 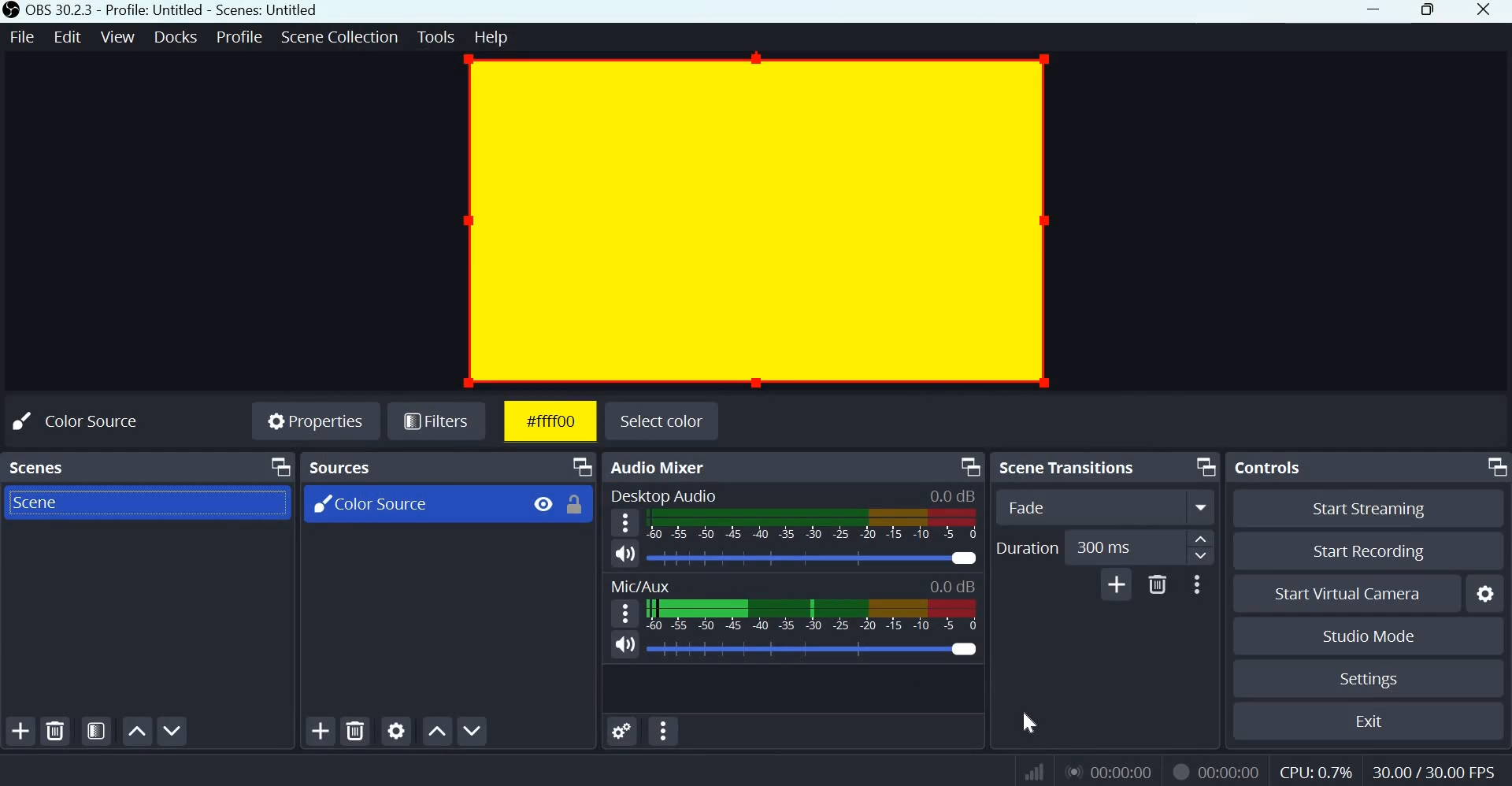 I want to click on Minimize, so click(x=1373, y=13).